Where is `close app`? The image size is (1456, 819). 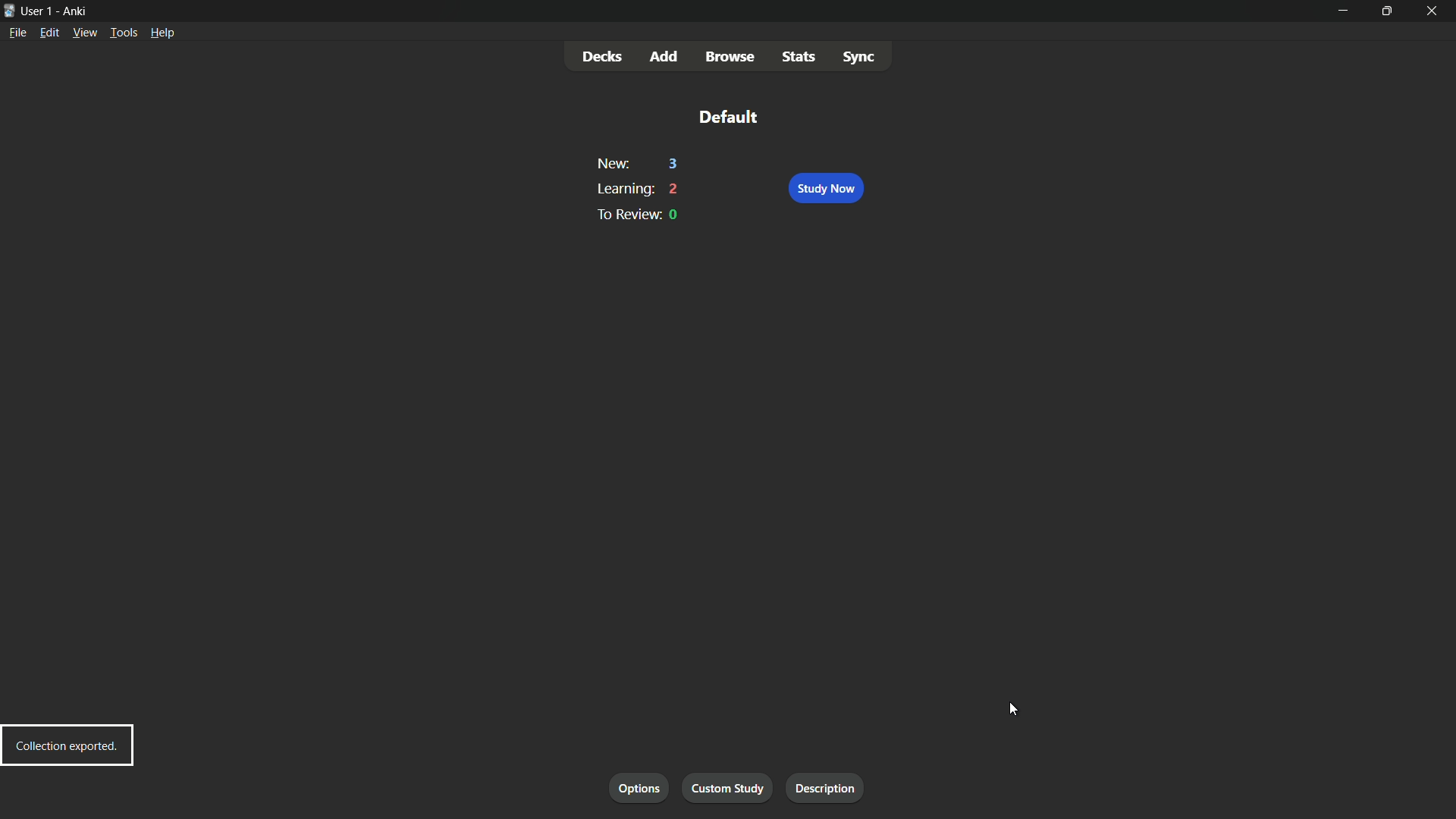
close app is located at coordinates (1435, 11).